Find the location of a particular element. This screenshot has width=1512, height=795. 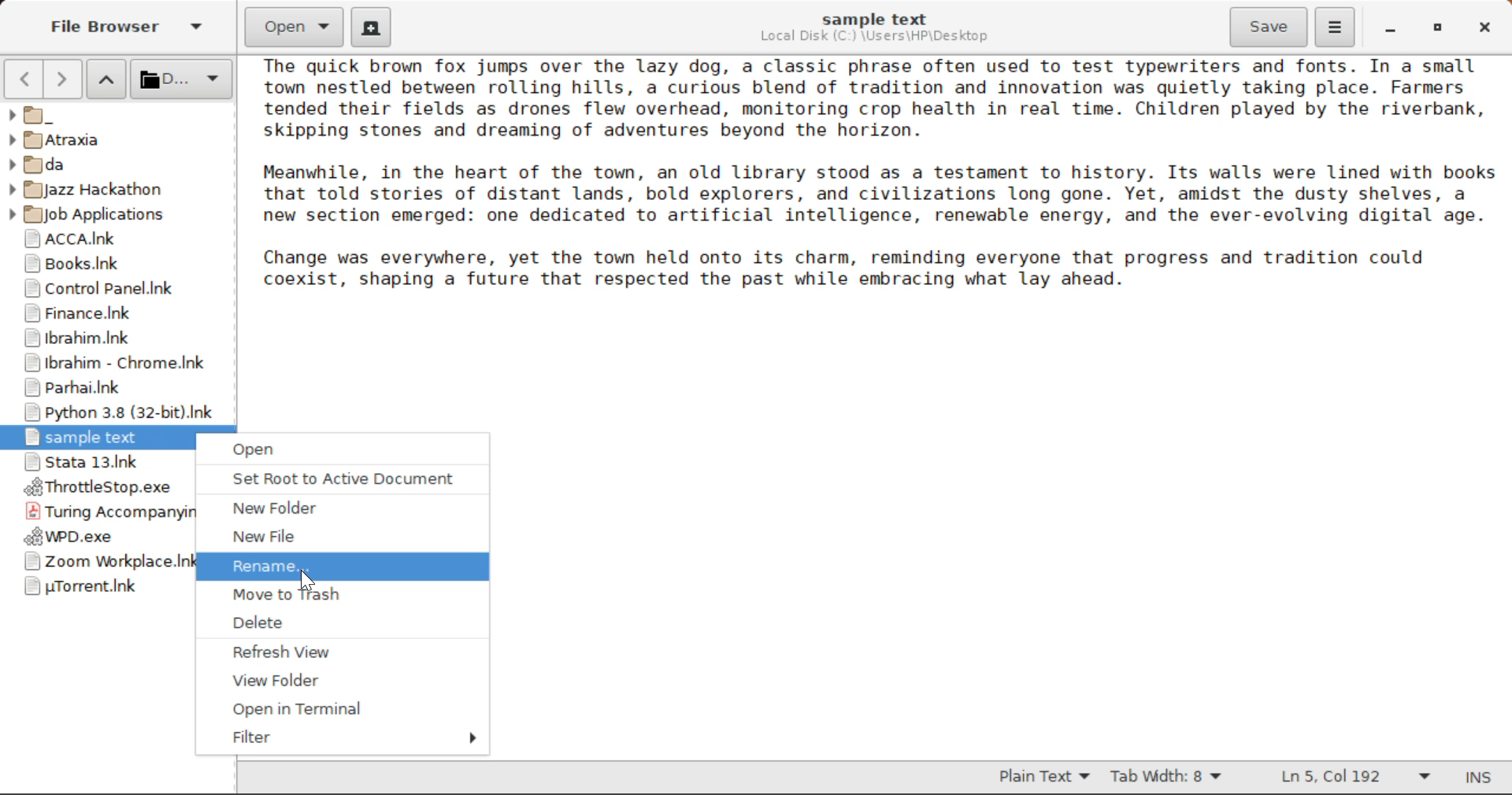

sample text File Name is located at coordinates (874, 18).